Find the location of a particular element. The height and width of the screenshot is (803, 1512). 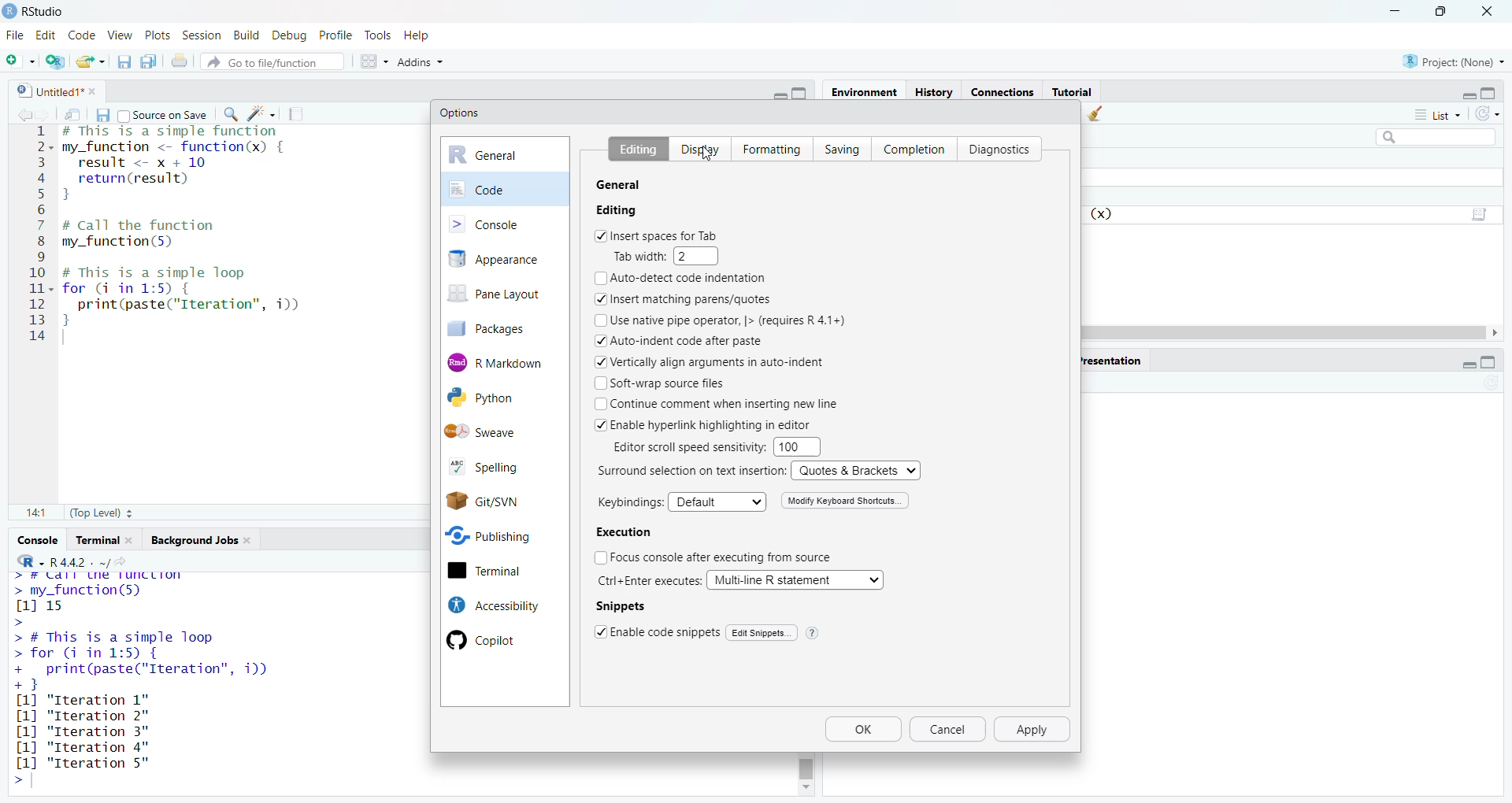

Snippets is located at coordinates (625, 609).